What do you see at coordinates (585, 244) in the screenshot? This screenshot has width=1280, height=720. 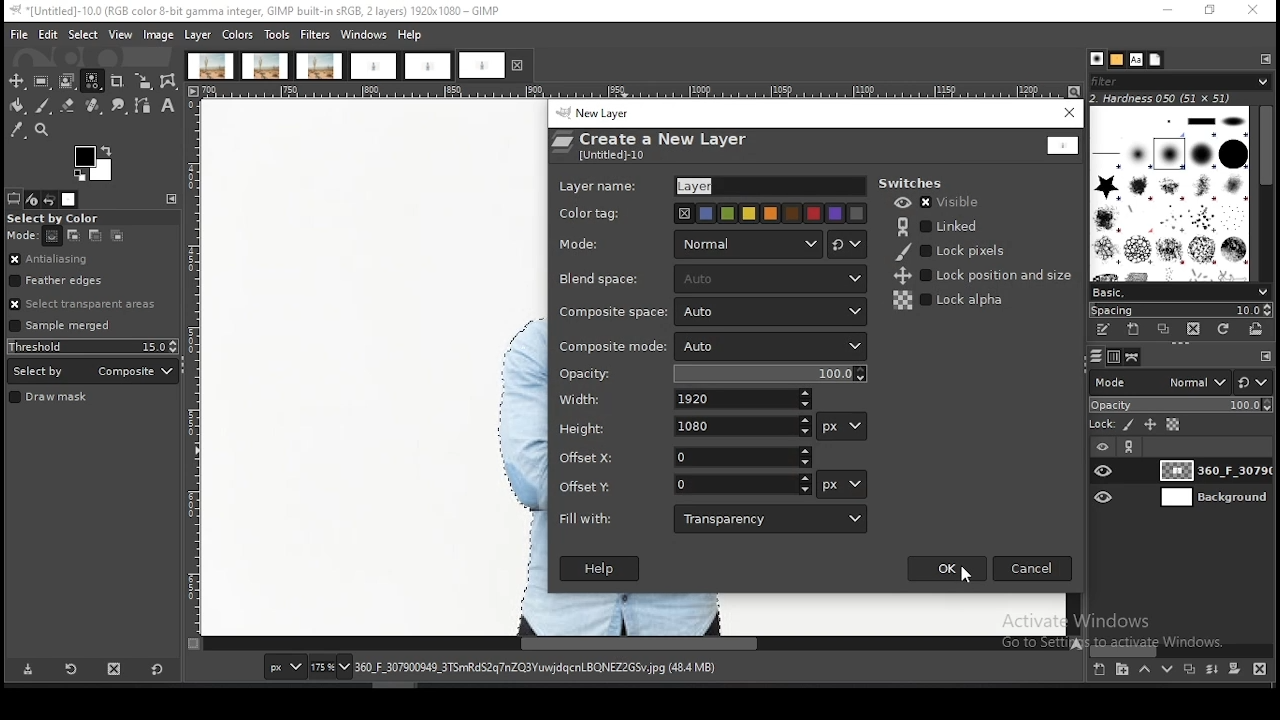 I see `mode` at bounding box center [585, 244].